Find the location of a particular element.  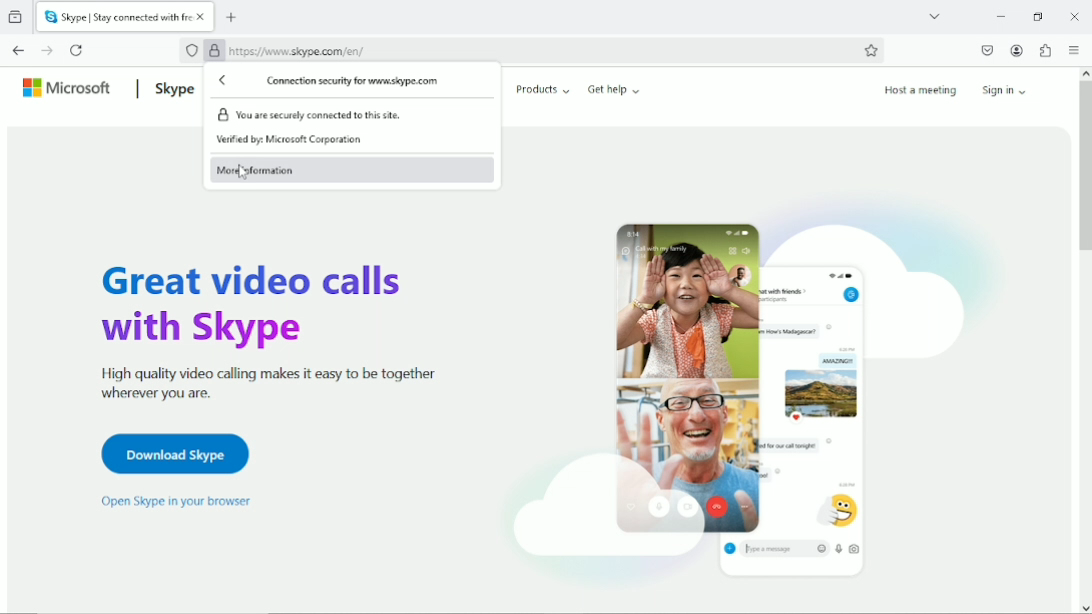

New tab is located at coordinates (232, 18).